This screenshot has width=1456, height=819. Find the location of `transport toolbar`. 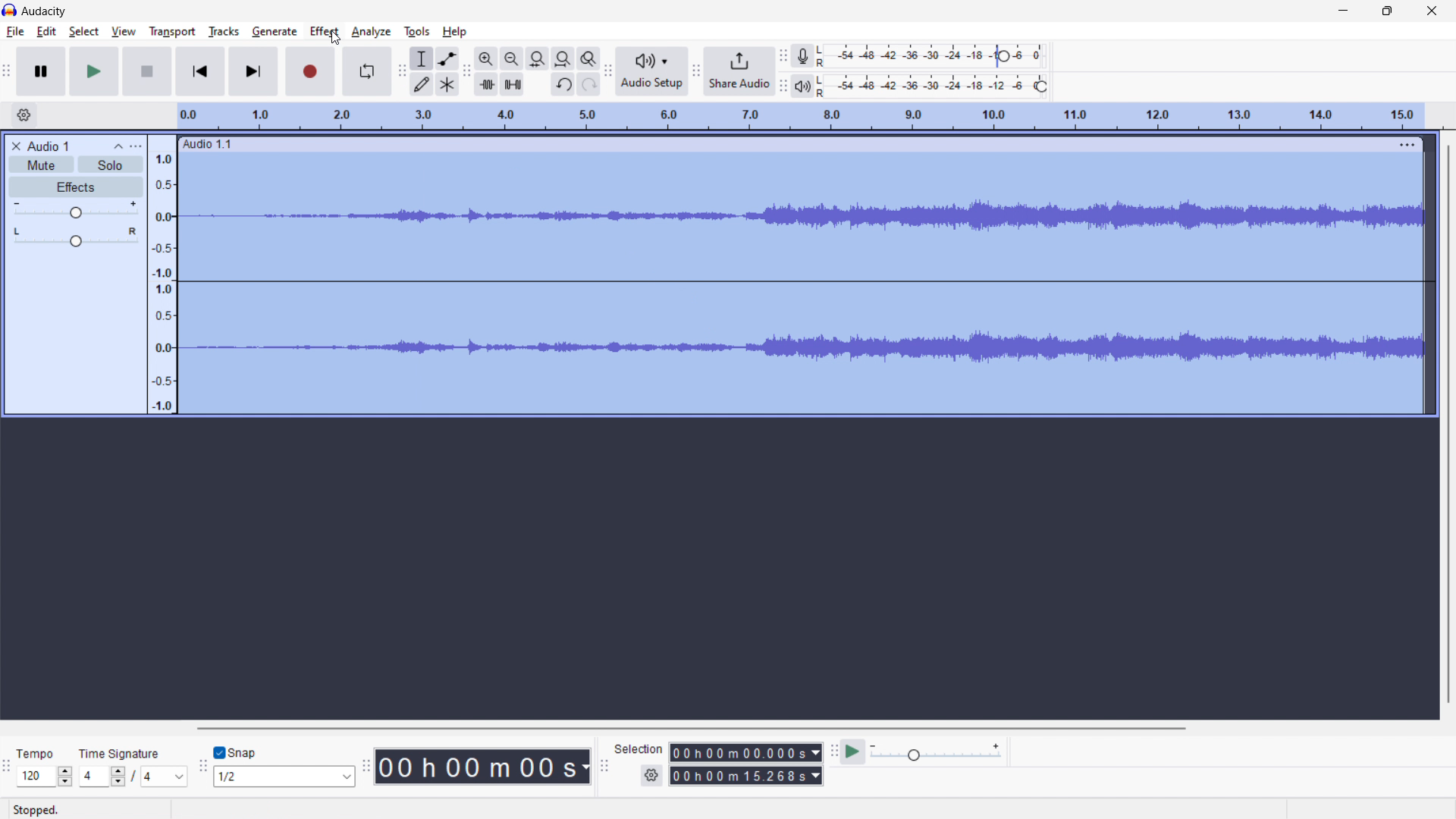

transport toolbar is located at coordinates (8, 70).